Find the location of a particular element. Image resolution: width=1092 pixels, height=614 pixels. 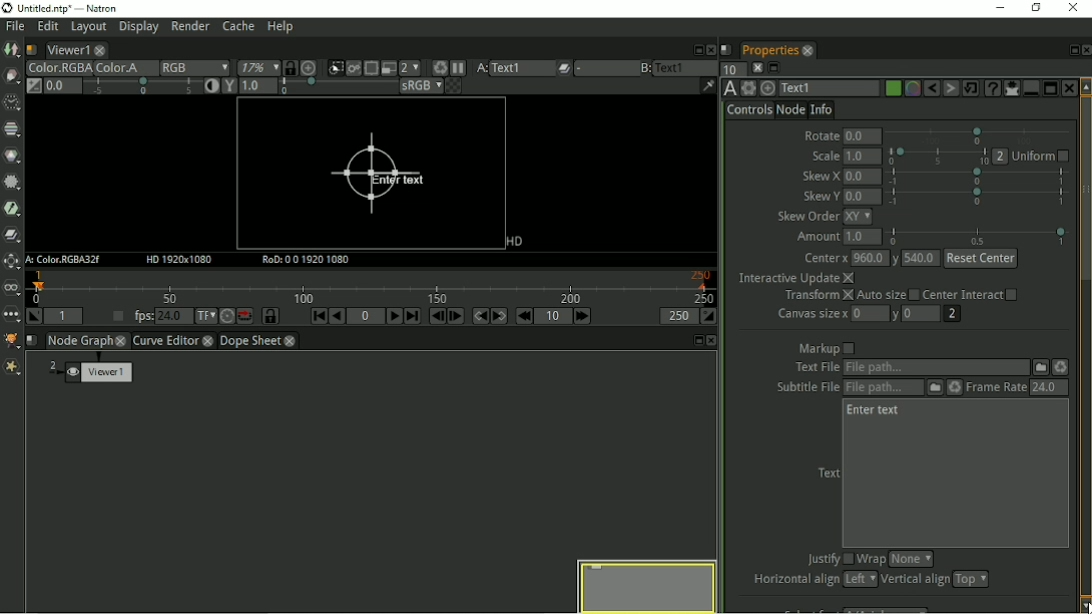

Dope Sheet is located at coordinates (251, 341).